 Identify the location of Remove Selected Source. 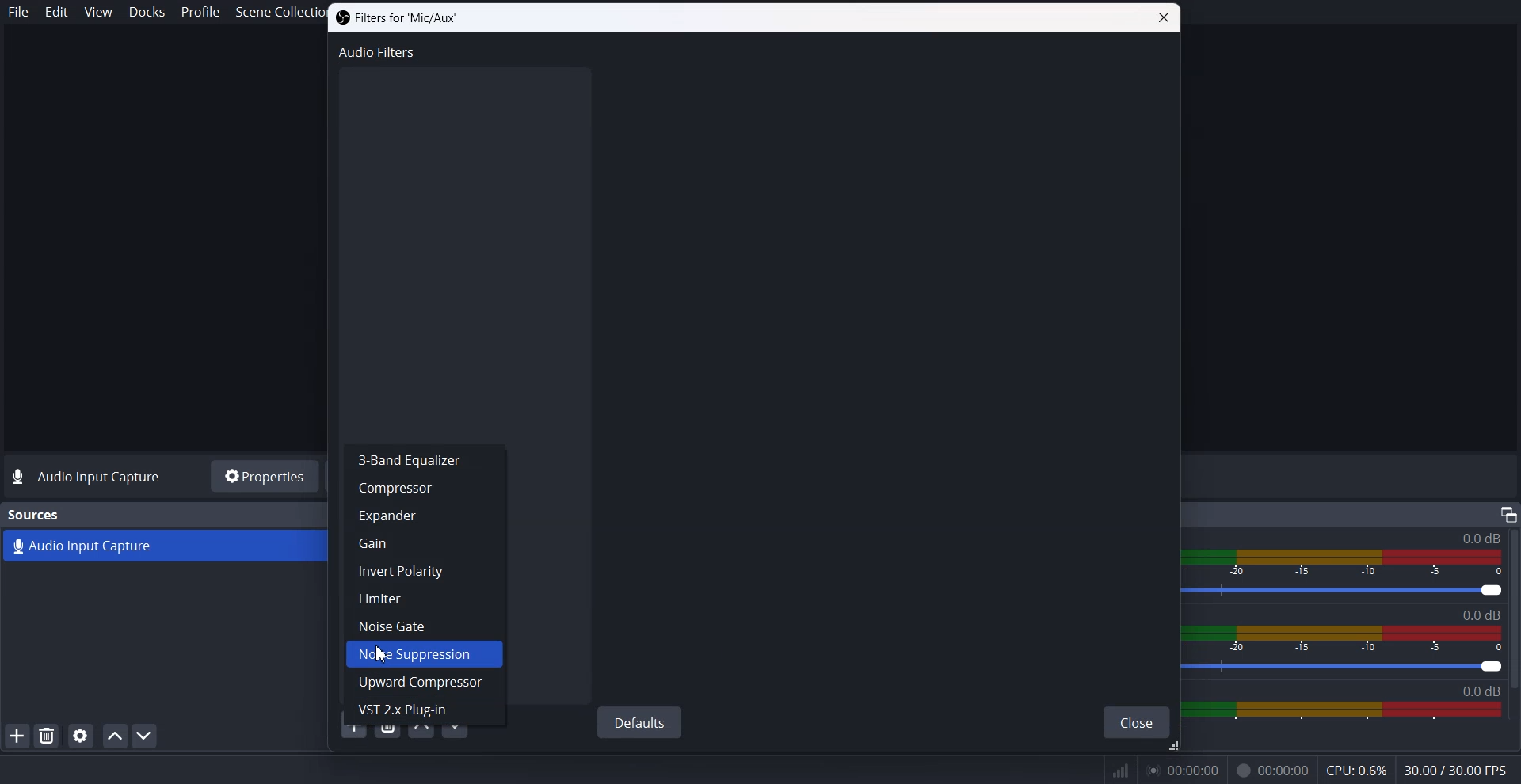
(47, 735).